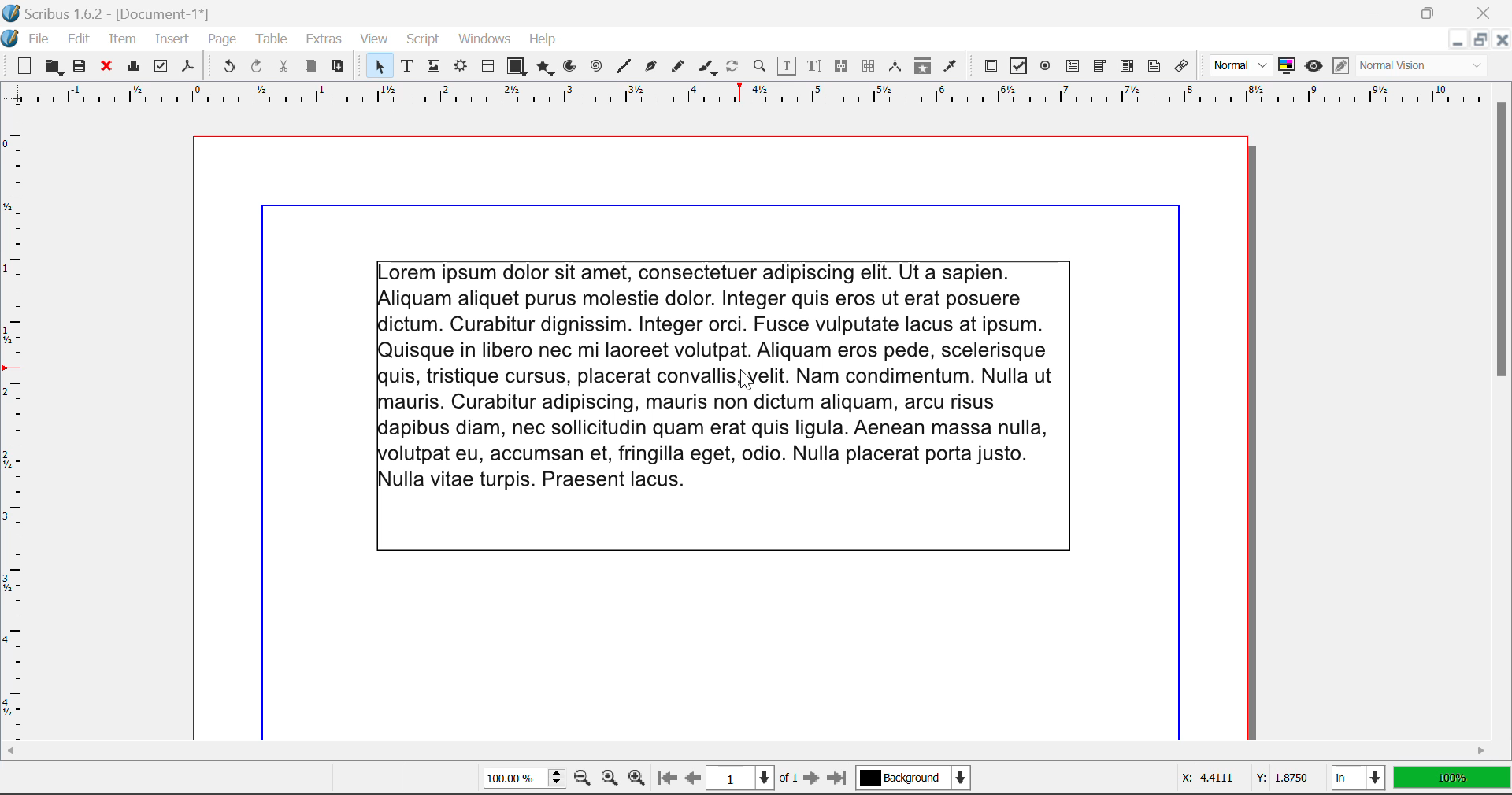 The width and height of the screenshot is (1512, 795). I want to click on PDF Checkbox, so click(1017, 66).